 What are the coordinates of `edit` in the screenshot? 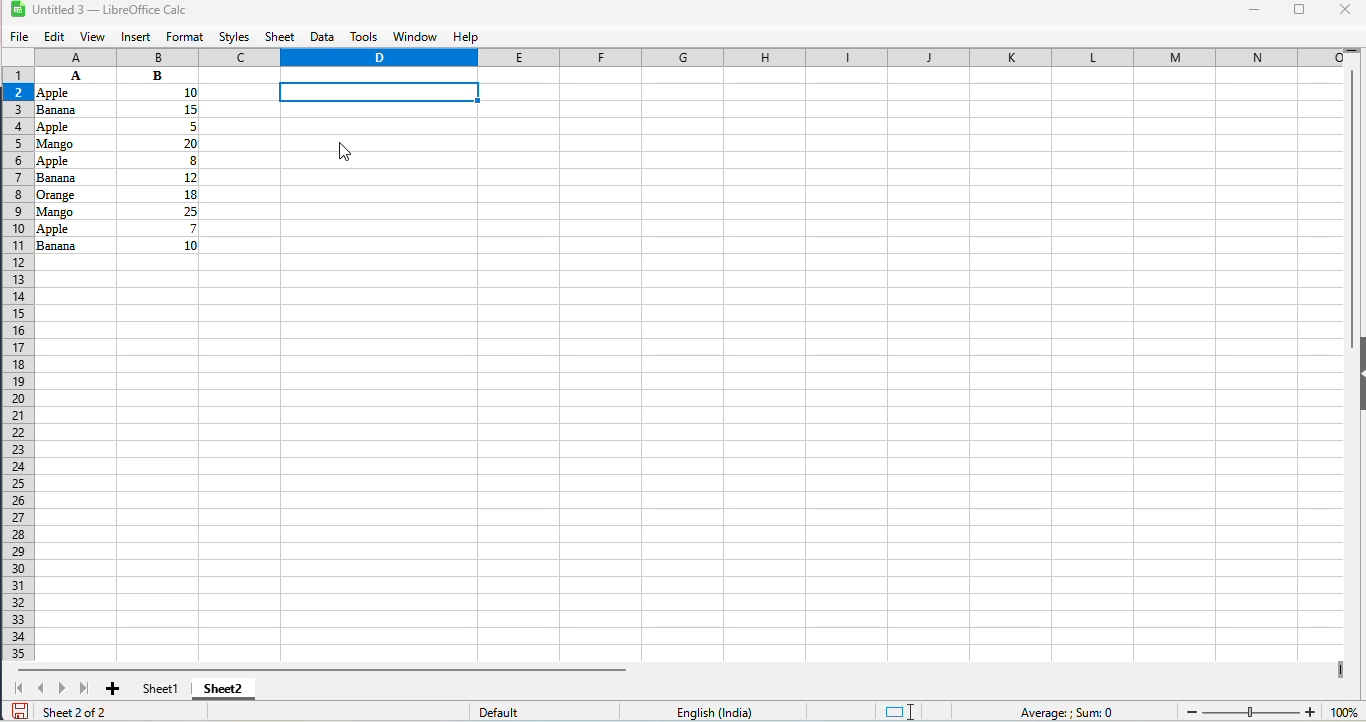 It's located at (55, 37).